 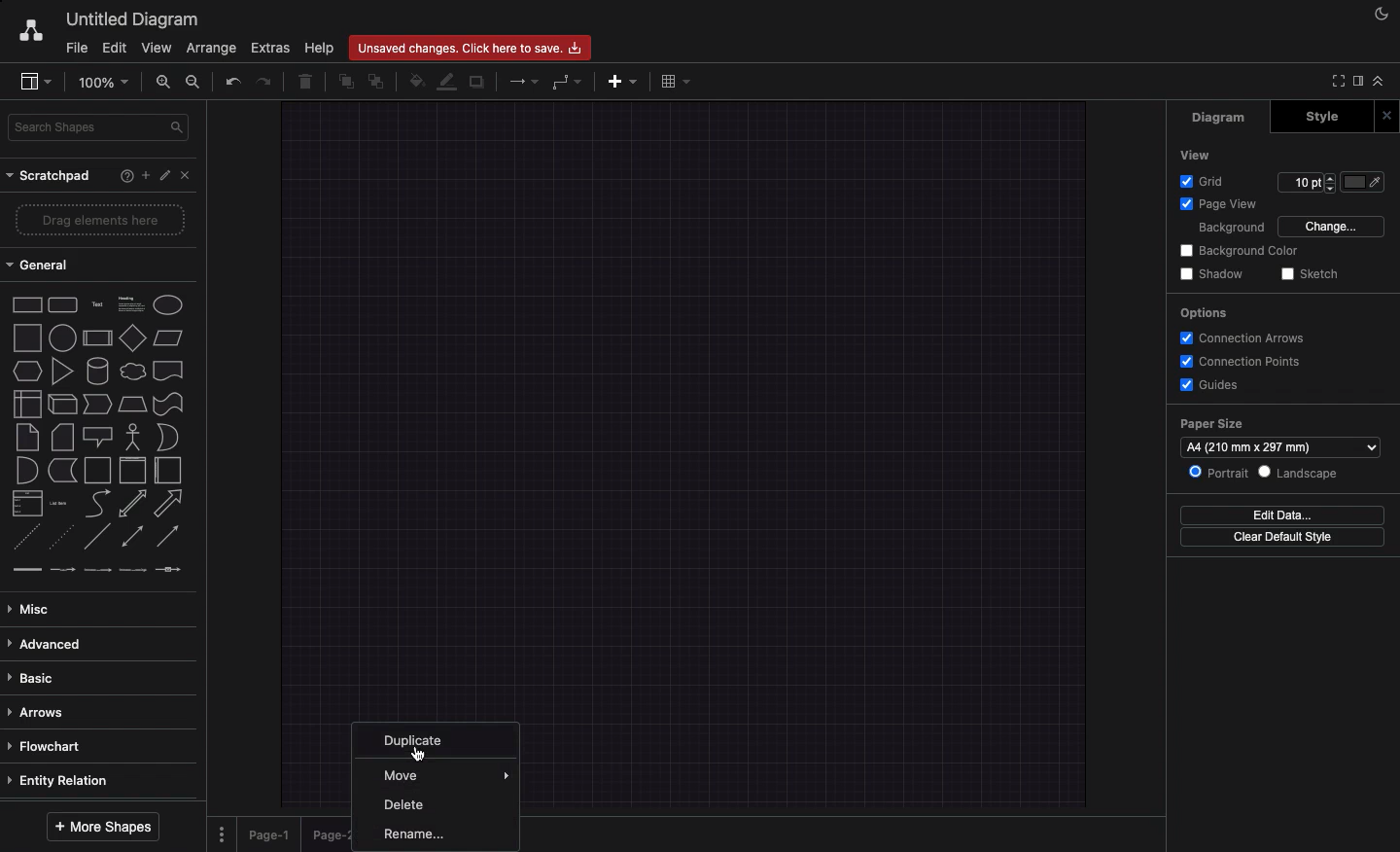 I want to click on General, so click(x=41, y=266).